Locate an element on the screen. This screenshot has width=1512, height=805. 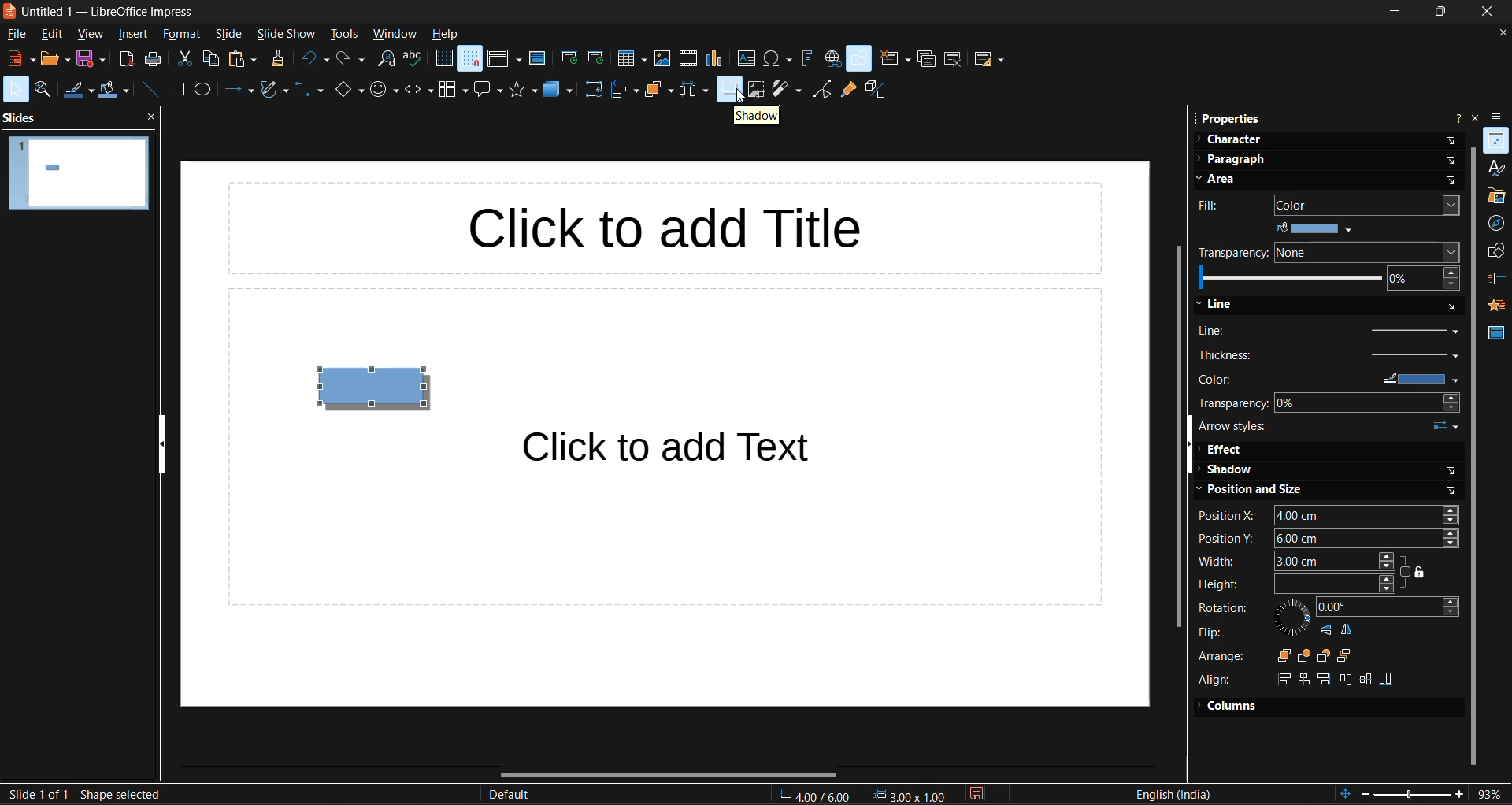
4.30/6.00 is located at coordinates (817, 796).